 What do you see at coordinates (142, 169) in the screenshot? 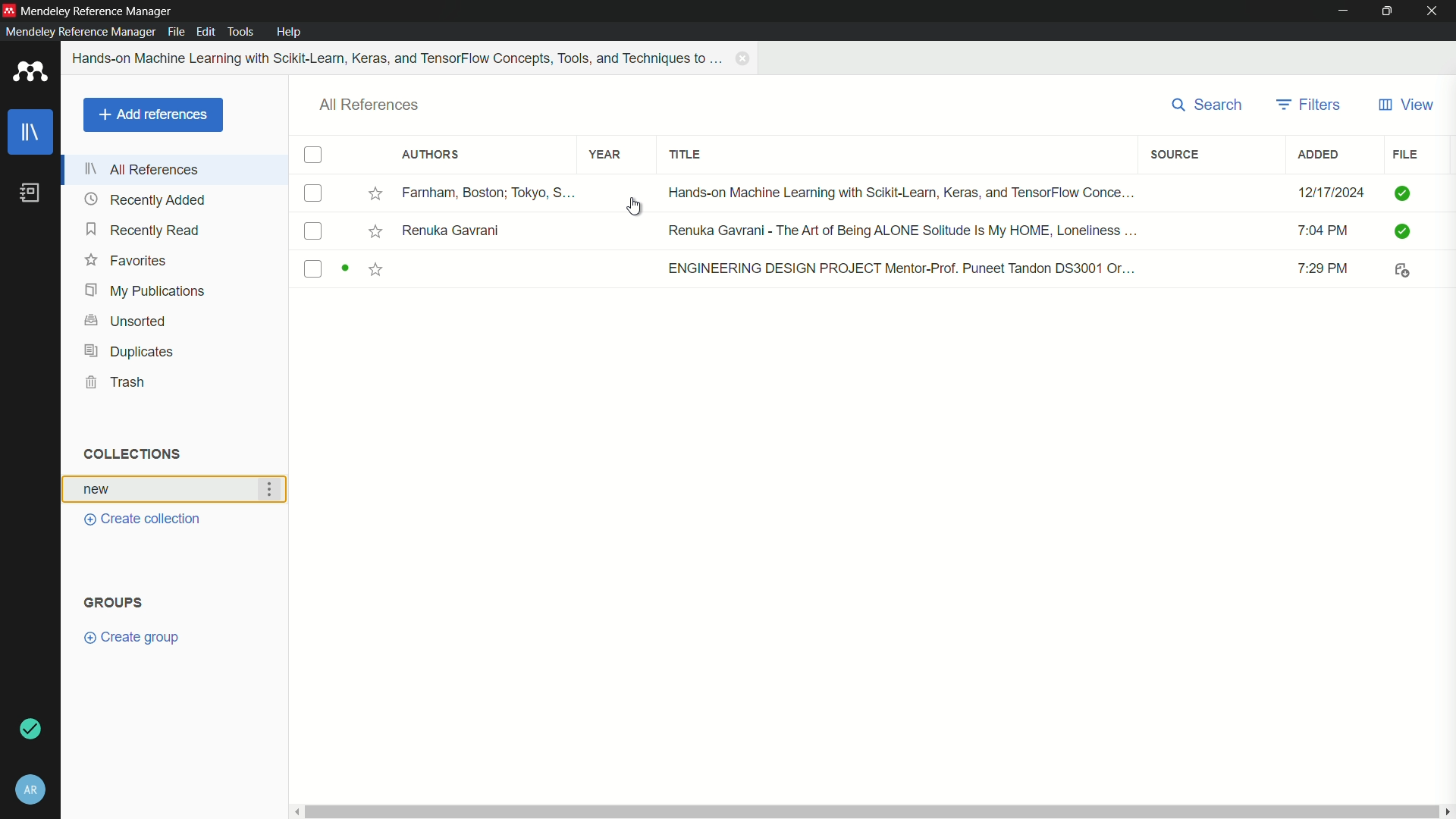
I see `all references` at bounding box center [142, 169].